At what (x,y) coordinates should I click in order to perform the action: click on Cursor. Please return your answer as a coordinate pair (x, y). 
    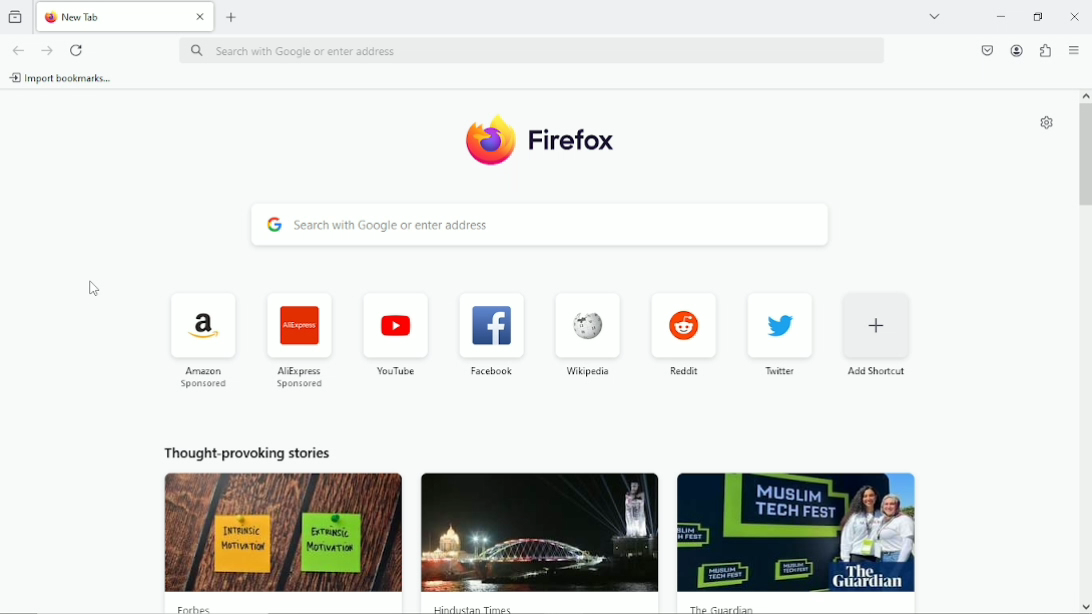
    Looking at the image, I should click on (91, 289).